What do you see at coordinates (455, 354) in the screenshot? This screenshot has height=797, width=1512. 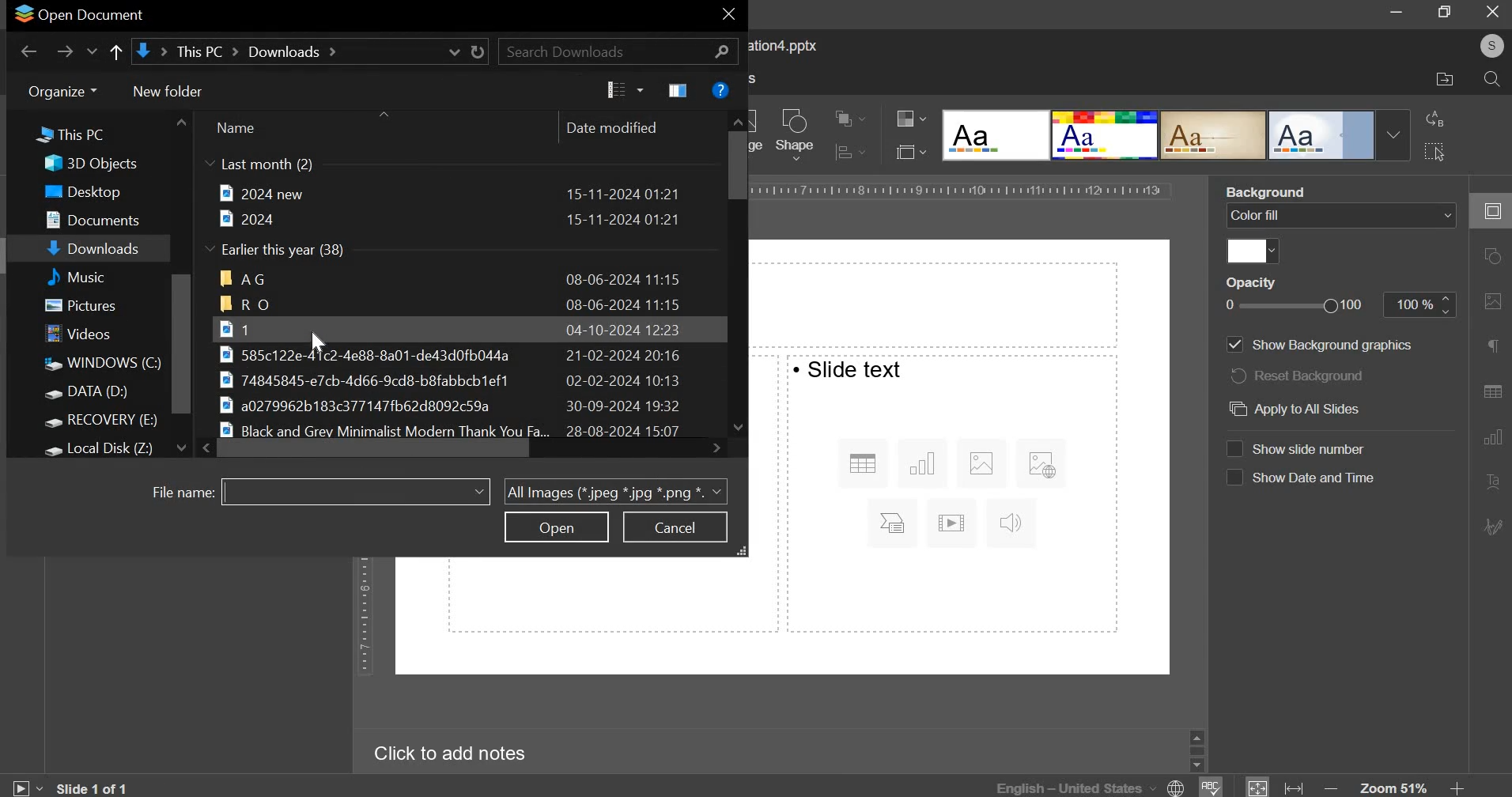 I see `image file` at bounding box center [455, 354].